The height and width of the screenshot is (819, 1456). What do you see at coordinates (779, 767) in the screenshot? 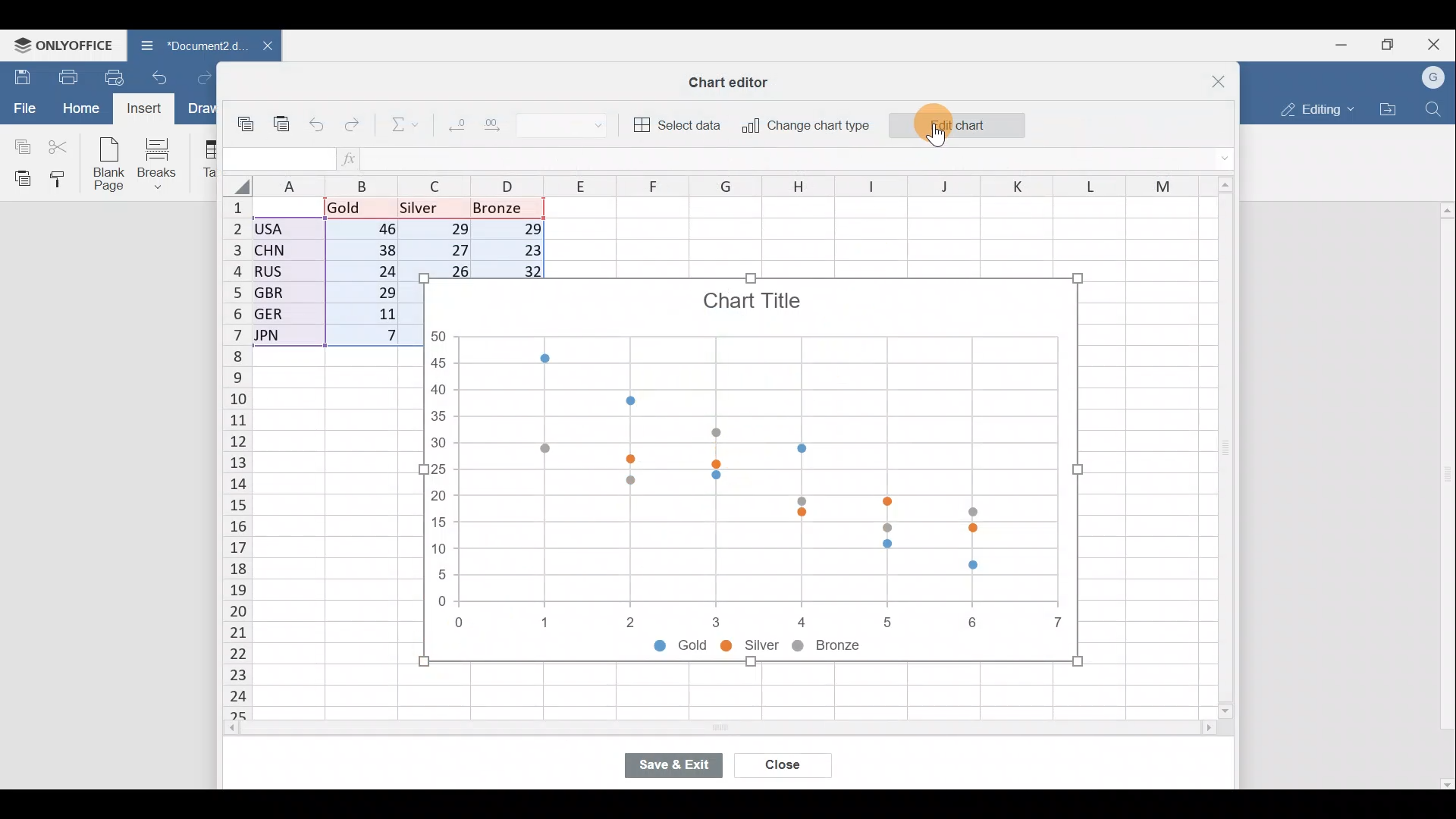
I see `Close` at bounding box center [779, 767].